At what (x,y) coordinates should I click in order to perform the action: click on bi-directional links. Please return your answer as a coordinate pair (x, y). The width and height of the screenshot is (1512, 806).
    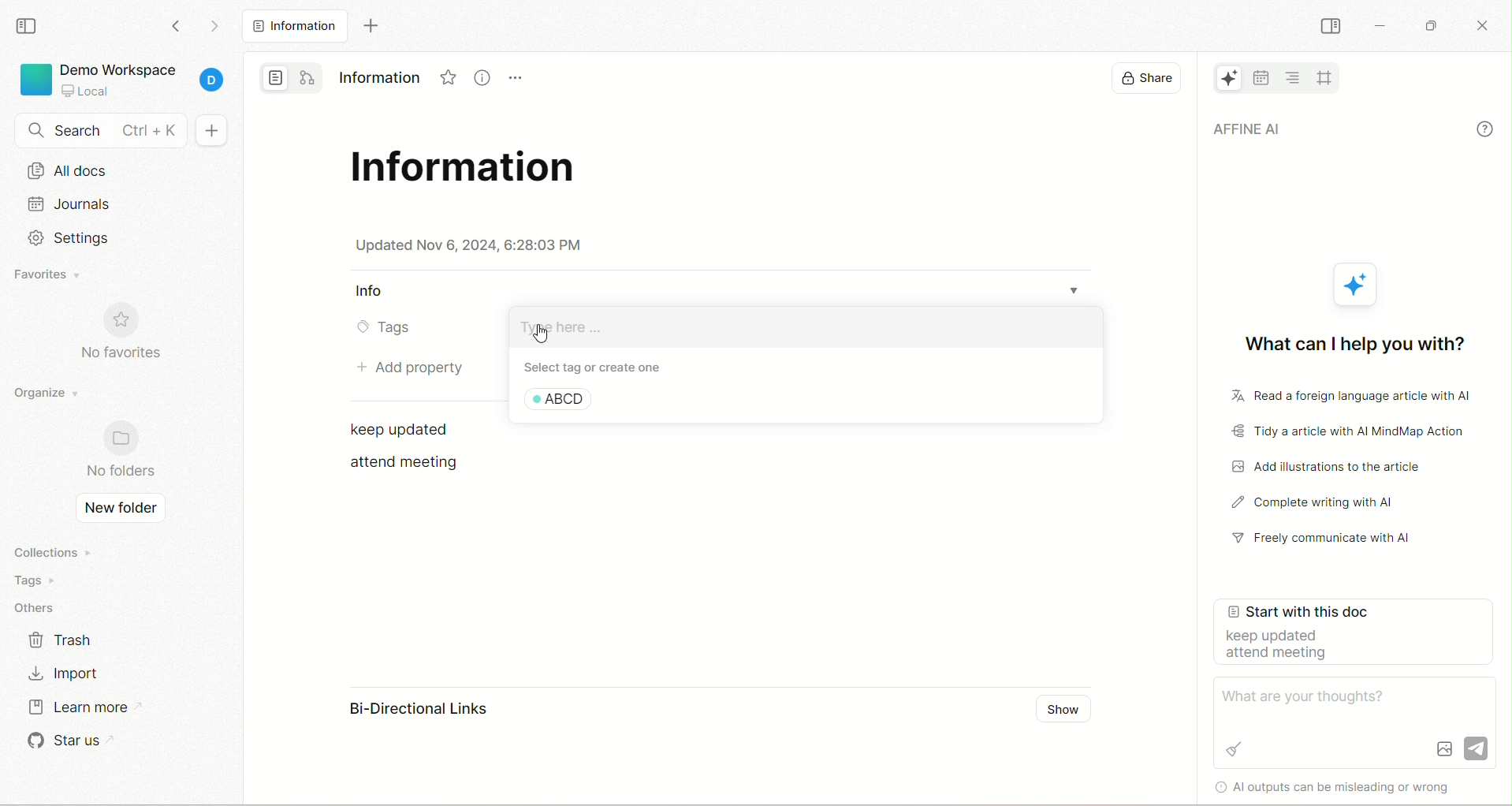
    Looking at the image, I should click on (434, 709).